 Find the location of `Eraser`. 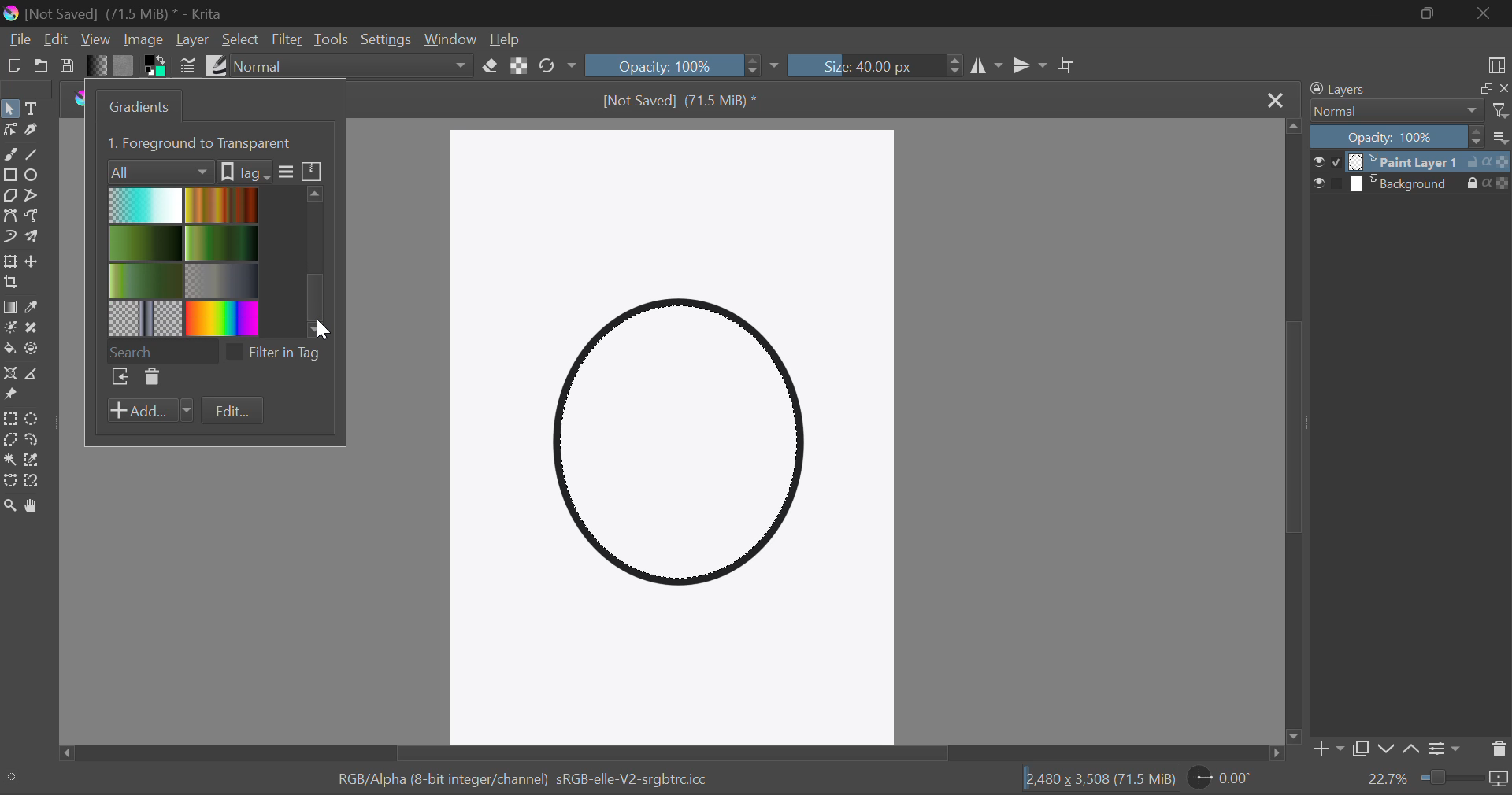

Eraser is located at coordinates (490, 66).